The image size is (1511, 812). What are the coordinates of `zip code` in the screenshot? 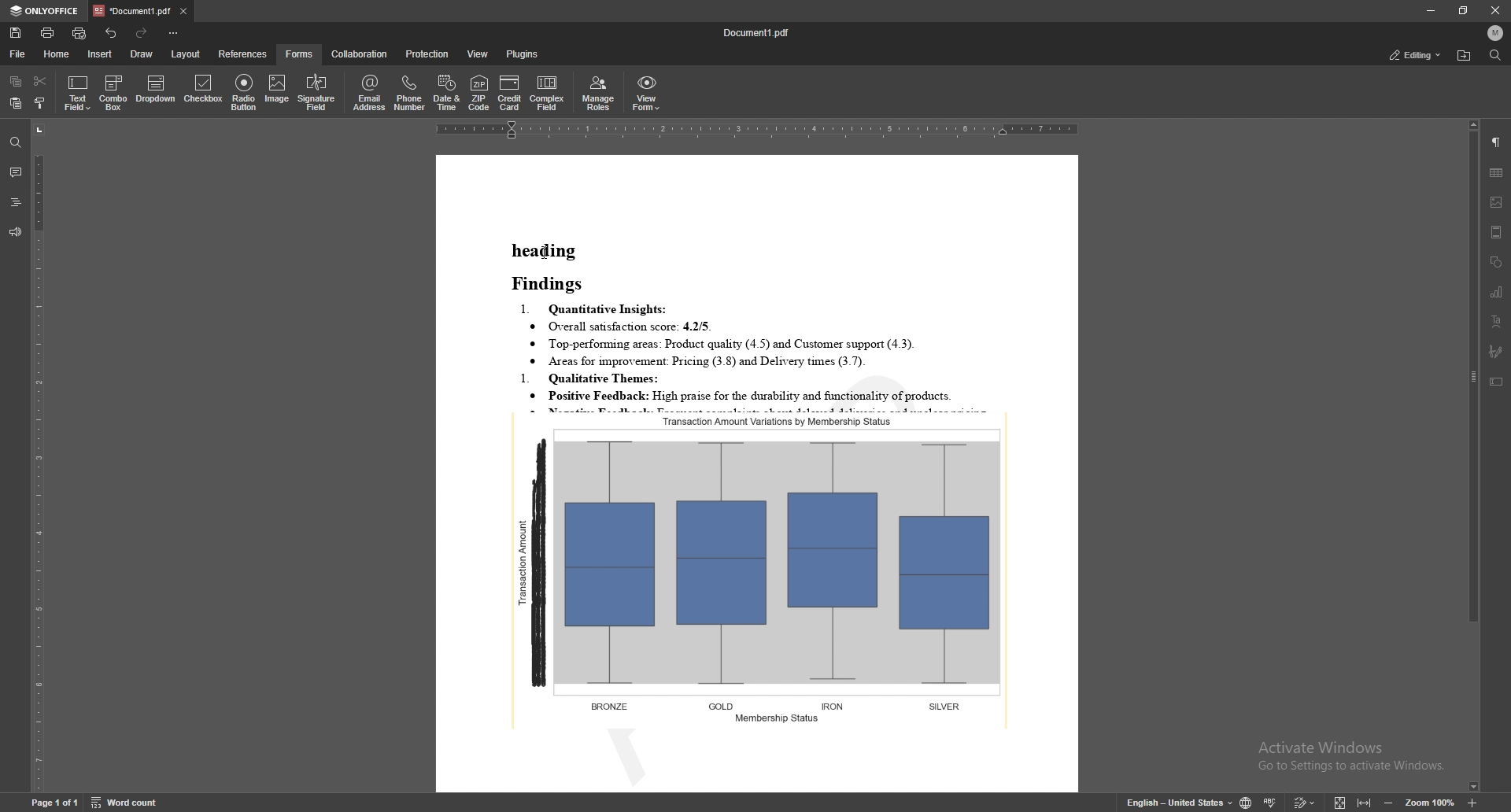 It's located at (479, 94).